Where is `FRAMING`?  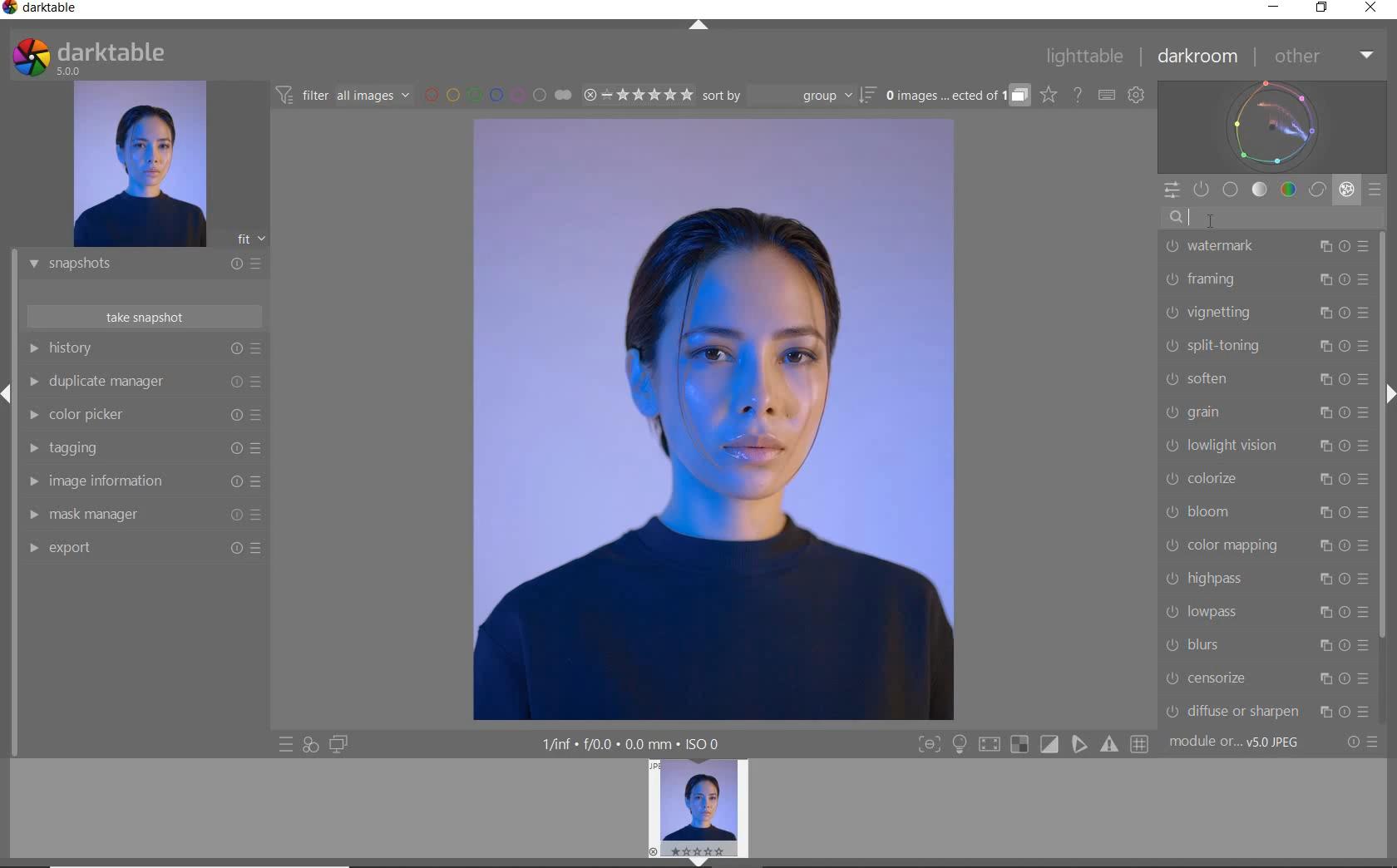
FRAMING is located at coordinates (1266, 279).